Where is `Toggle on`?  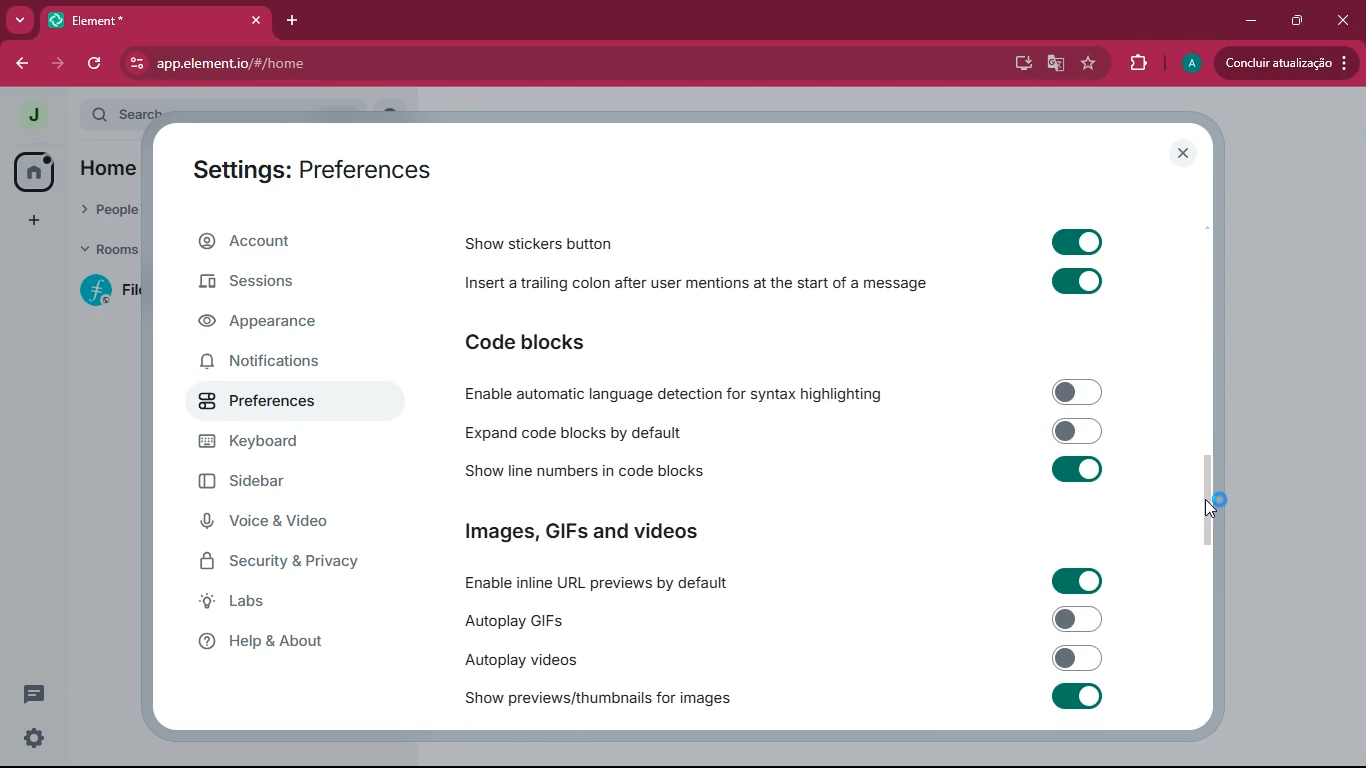
Toggle on is located at coordinates (1074, 579).